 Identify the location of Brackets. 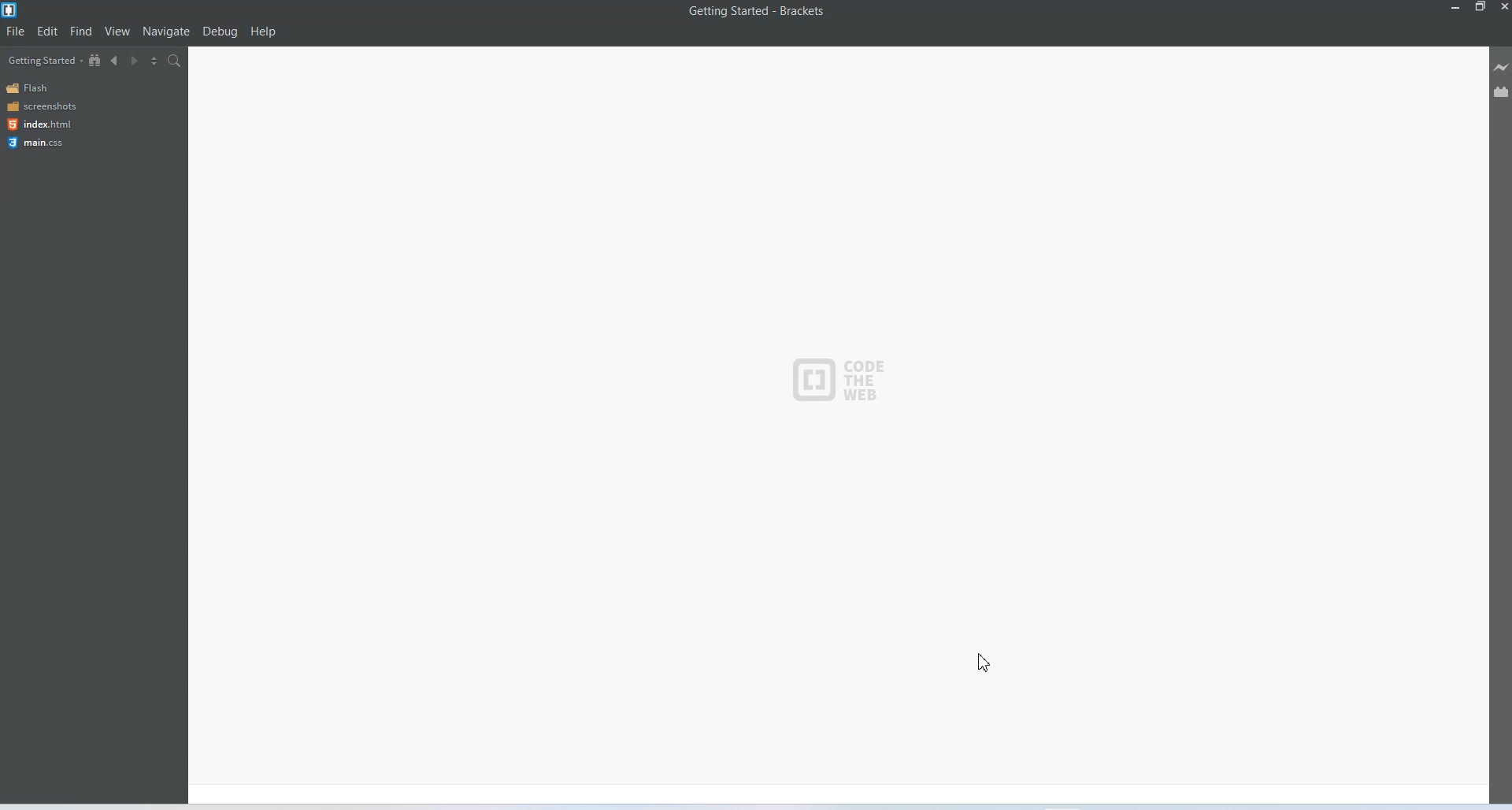
(802, 10).